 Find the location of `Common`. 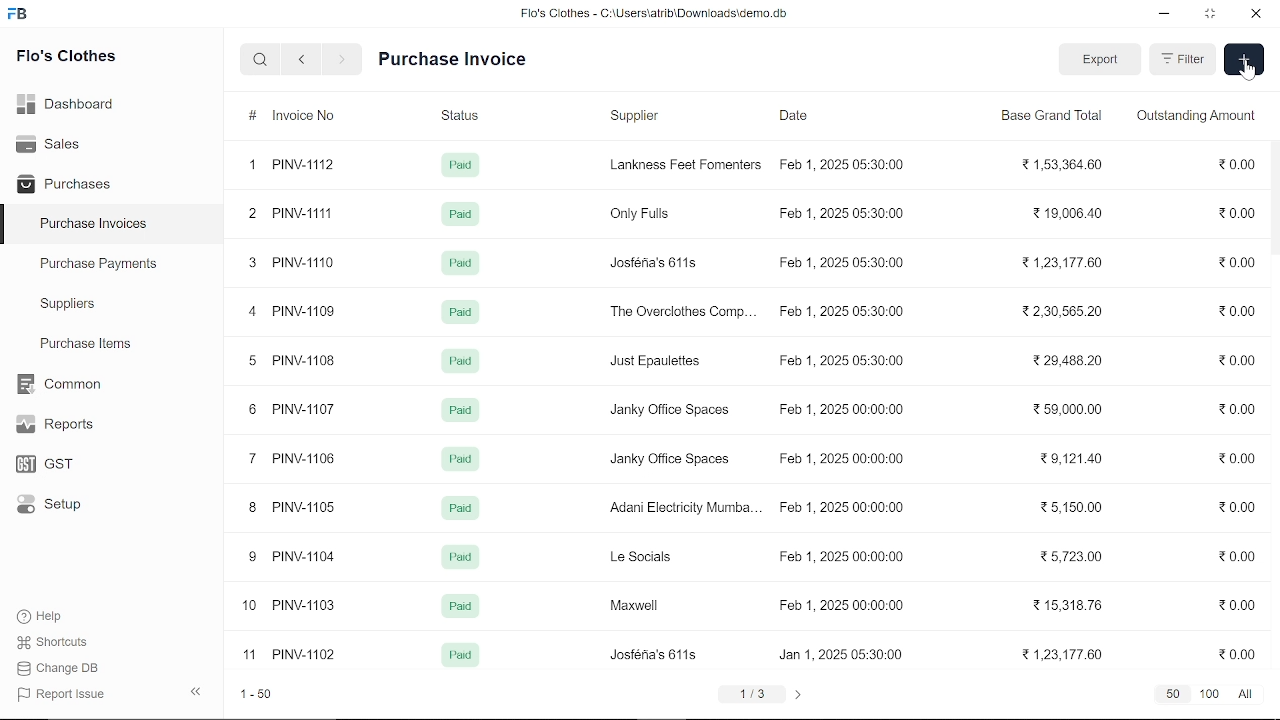

Common is located at coordinates (61, 384).